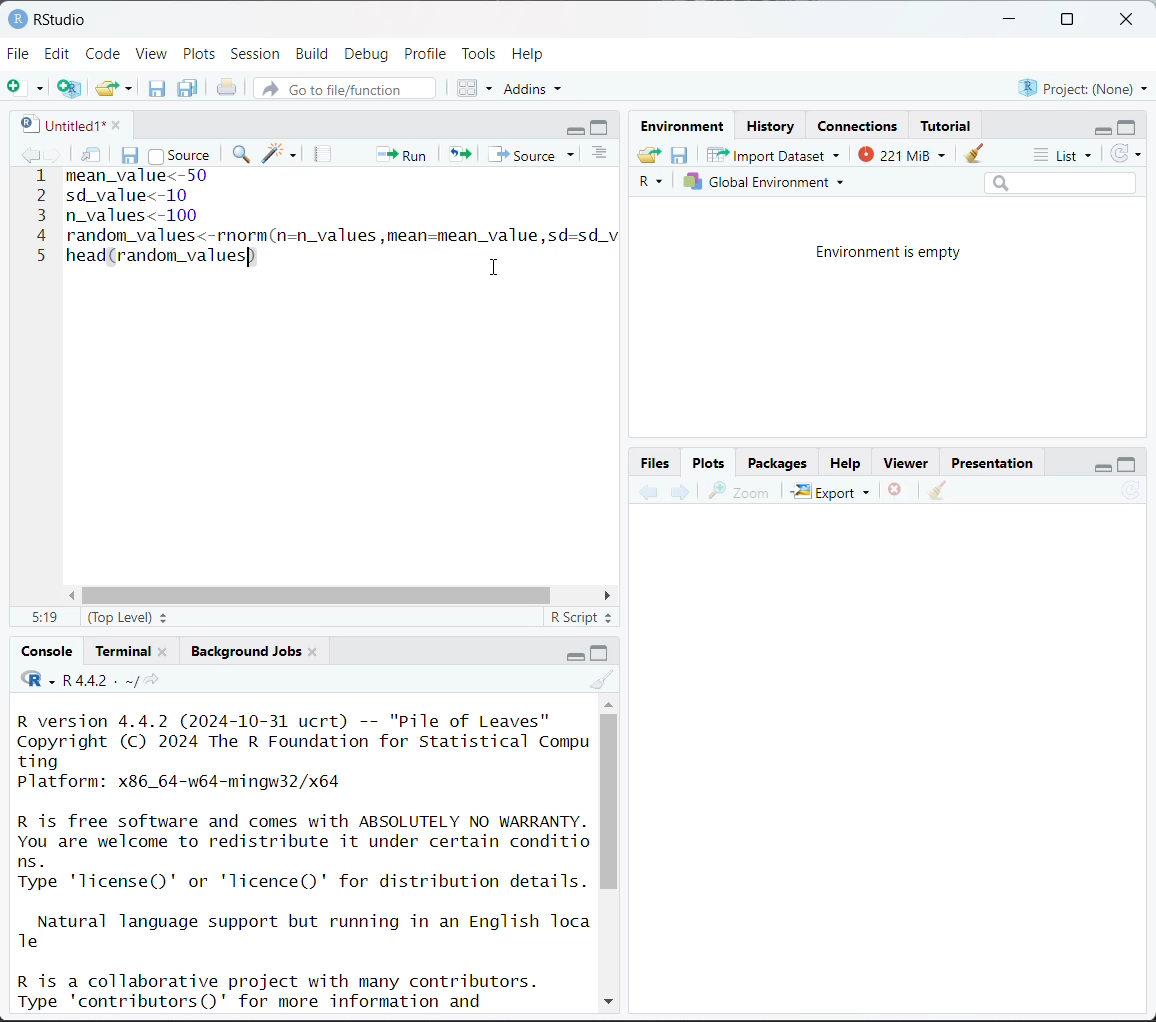  What do you see at coordinates (582, 620) in the screenshot?
I see `R script` at bounding box center [582, 620].